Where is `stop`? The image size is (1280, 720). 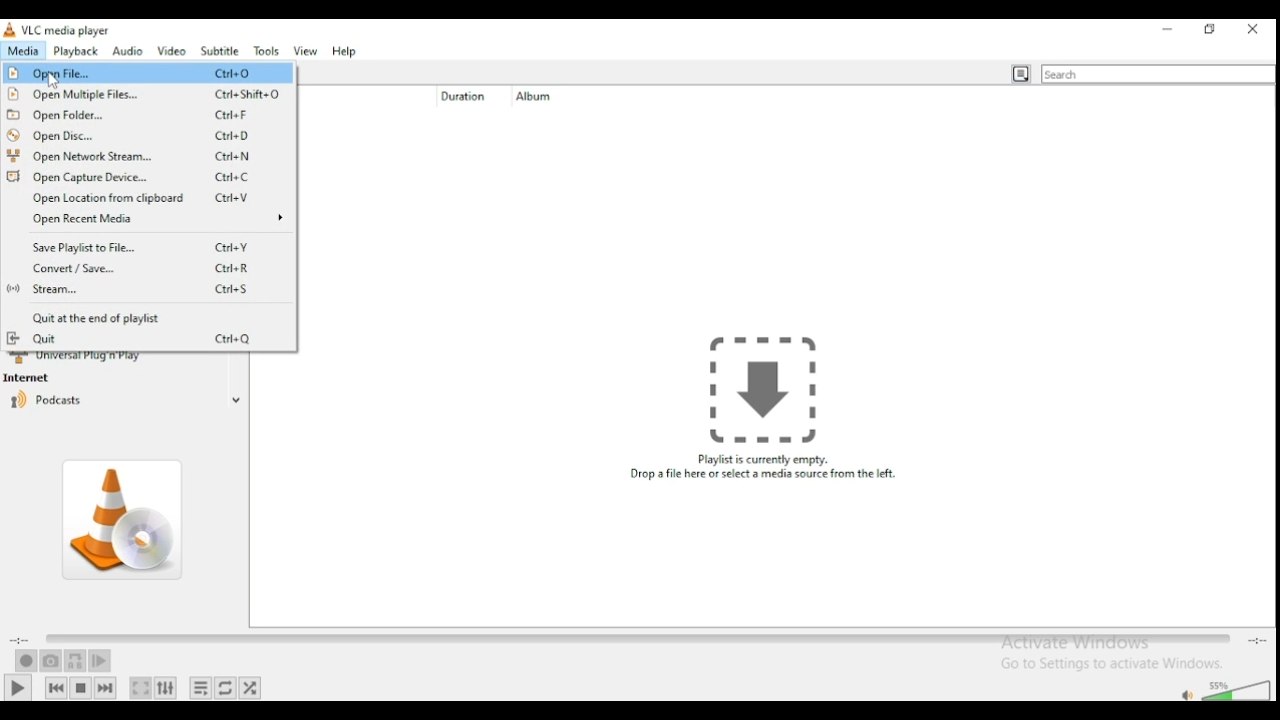 stop is located at coordinates (81, 689).